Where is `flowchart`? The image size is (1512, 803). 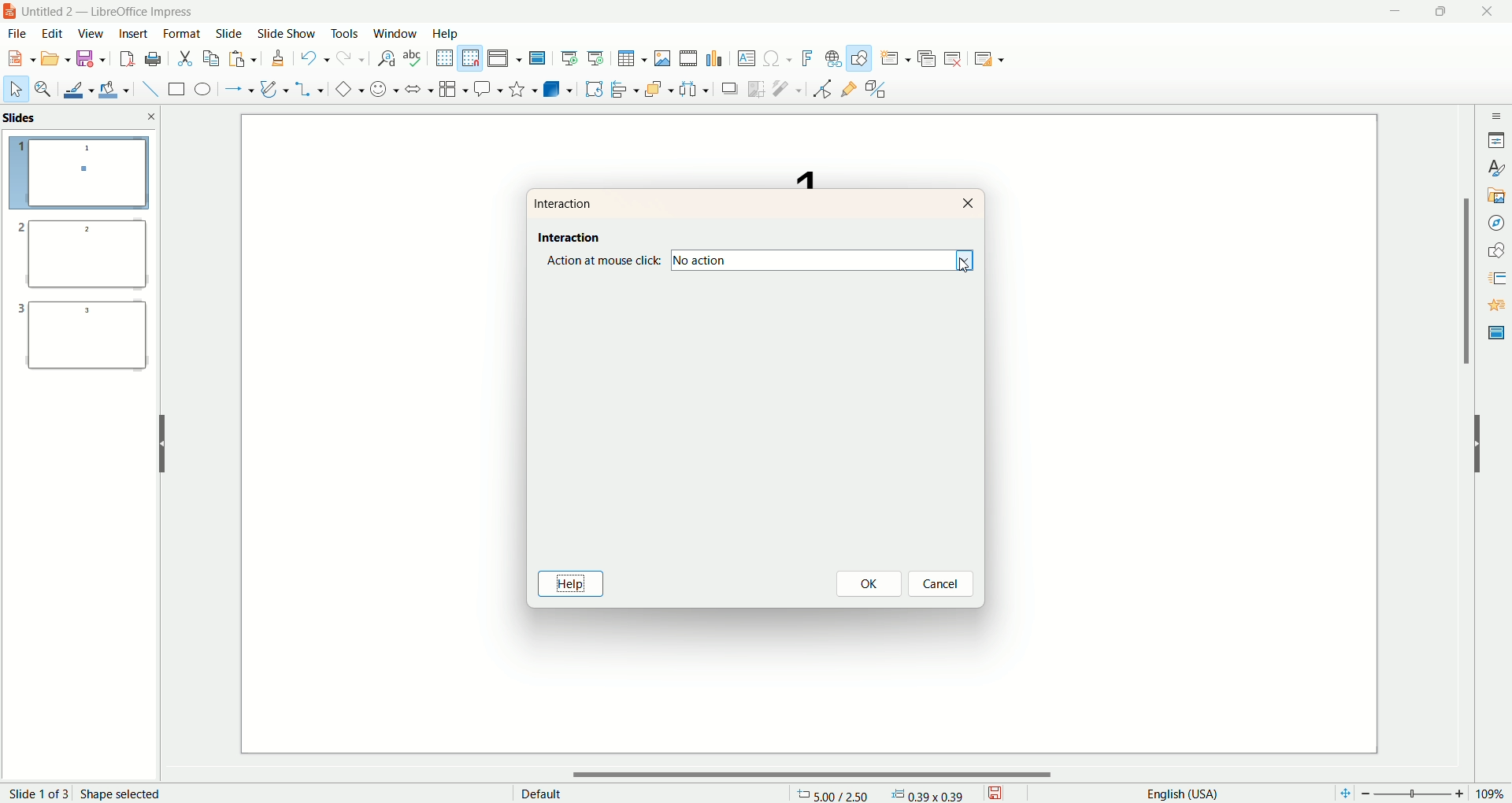 flowchart is located at coordinates (450, 90).